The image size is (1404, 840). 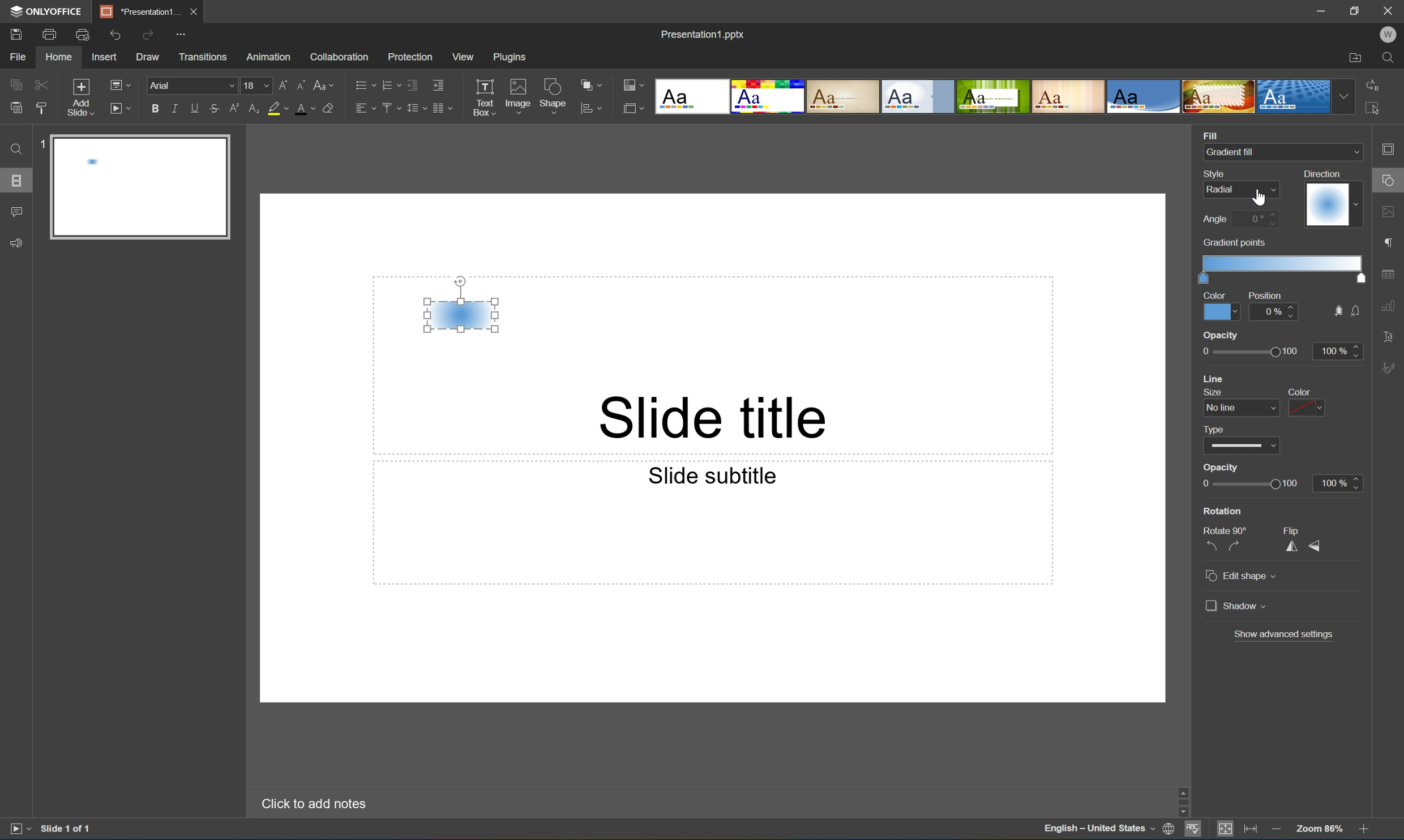 I want to click on Drop Down, so click(x=1354, y=152).